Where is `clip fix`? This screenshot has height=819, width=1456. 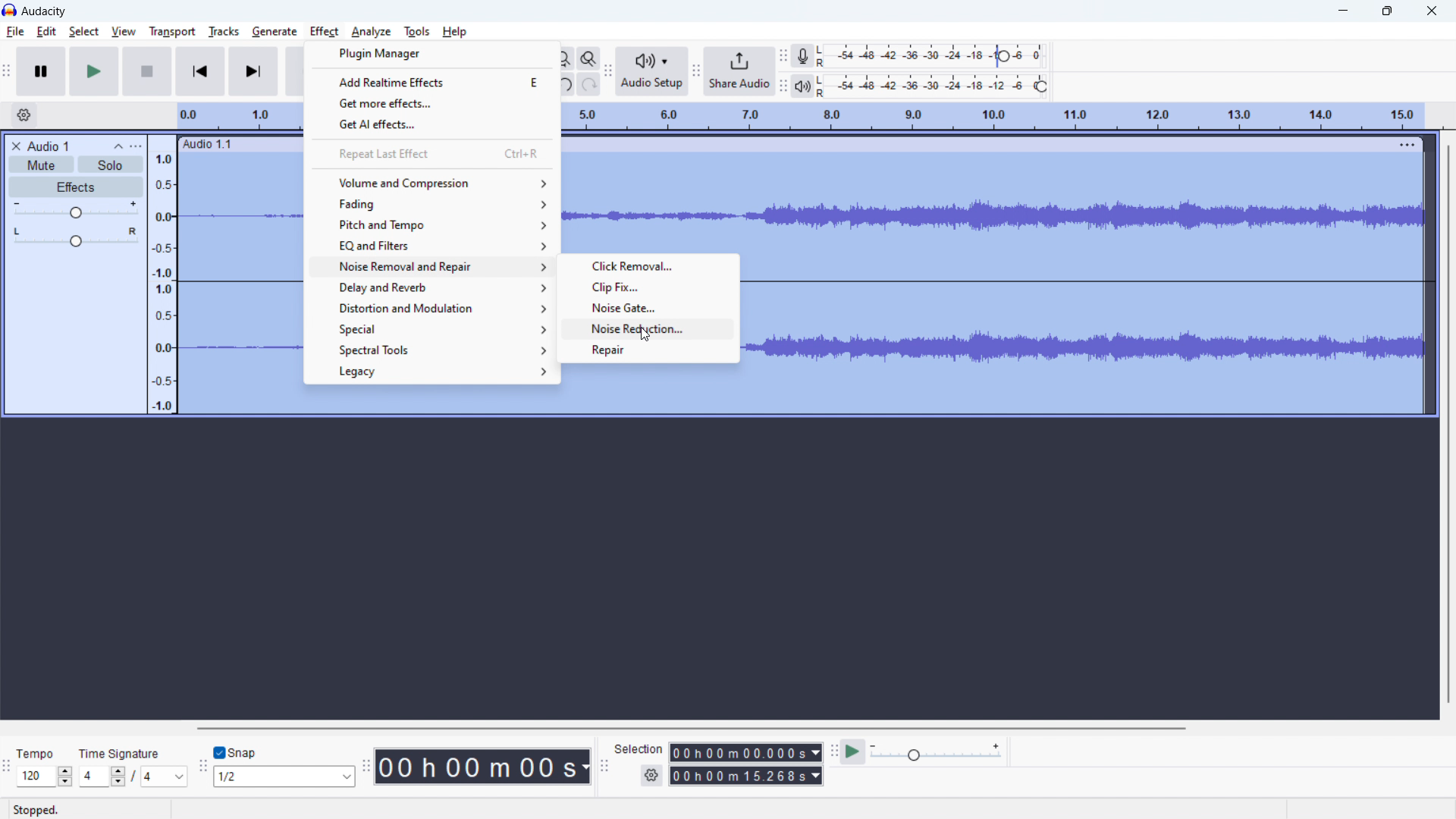
clip fix is located at coordinates (648, 287).